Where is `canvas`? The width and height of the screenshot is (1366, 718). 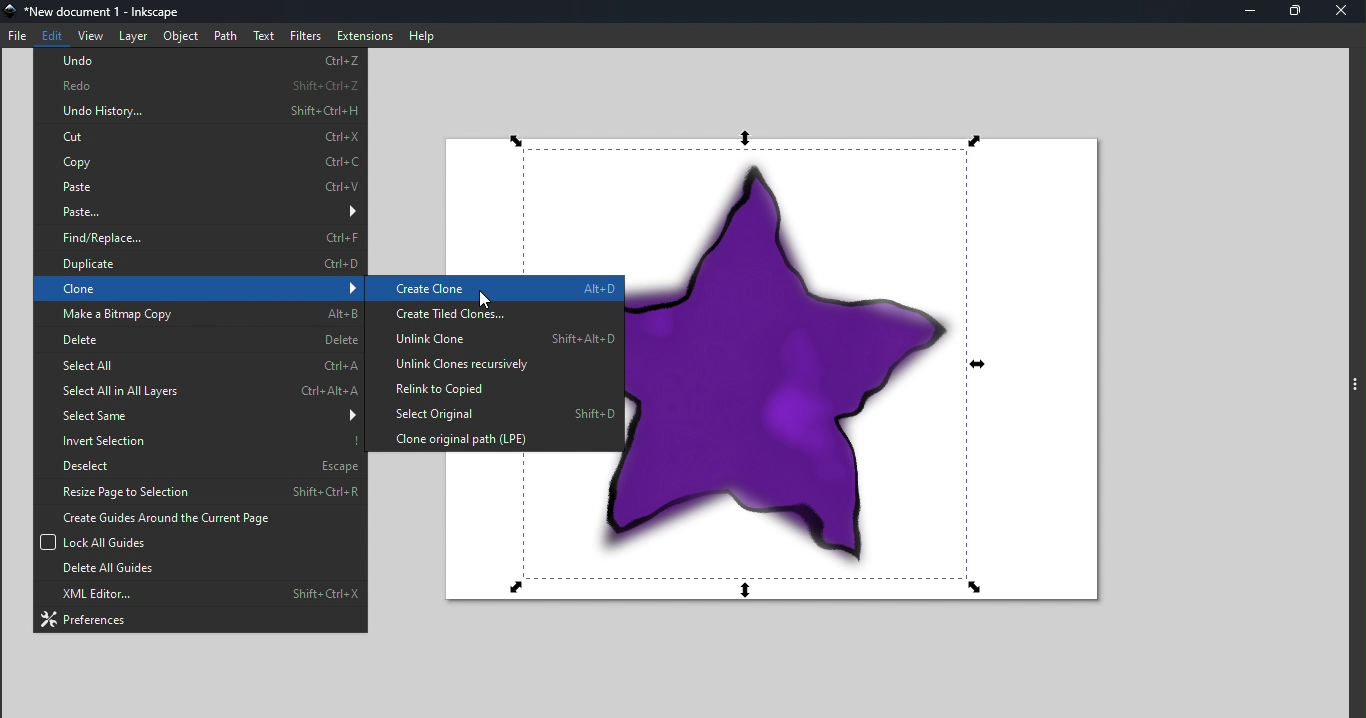
canvas is located at coordinates (875, 379).